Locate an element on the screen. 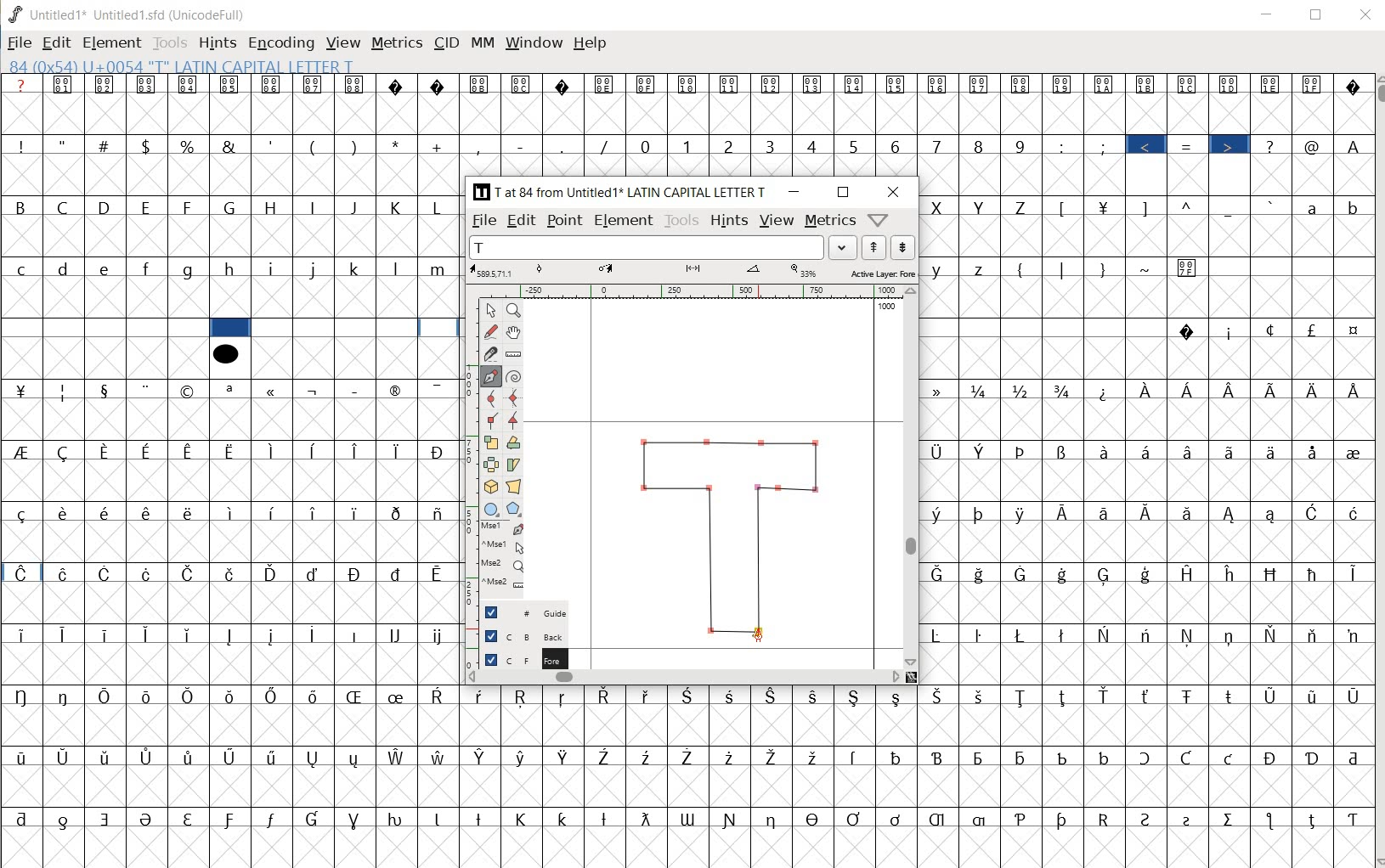 The width and height of the screenshot is (1385, 868). ] is located at coordinates (1150, 206).